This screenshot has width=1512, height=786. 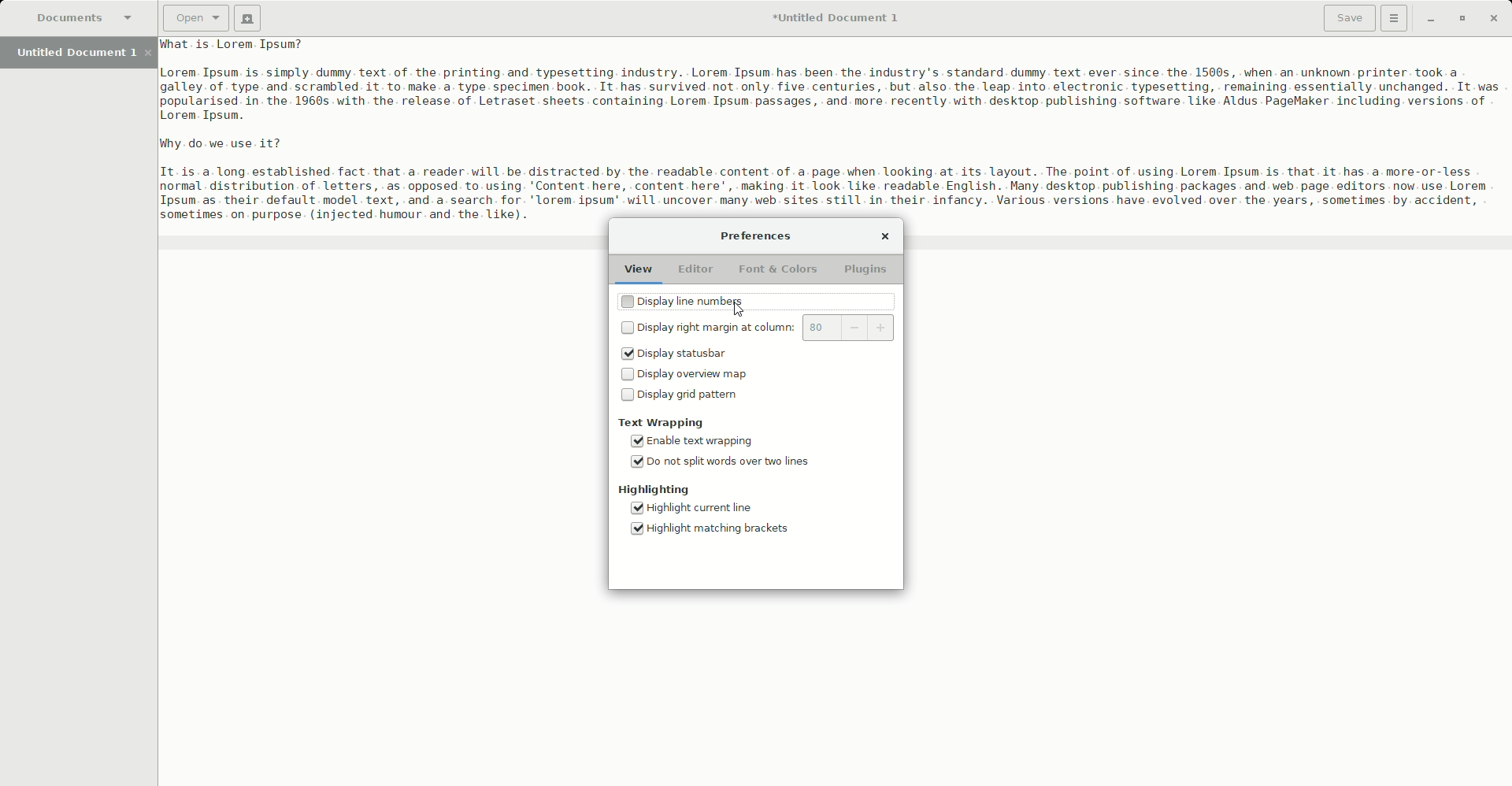 I want to click on Highlight current line, so click(x=711, y=508).